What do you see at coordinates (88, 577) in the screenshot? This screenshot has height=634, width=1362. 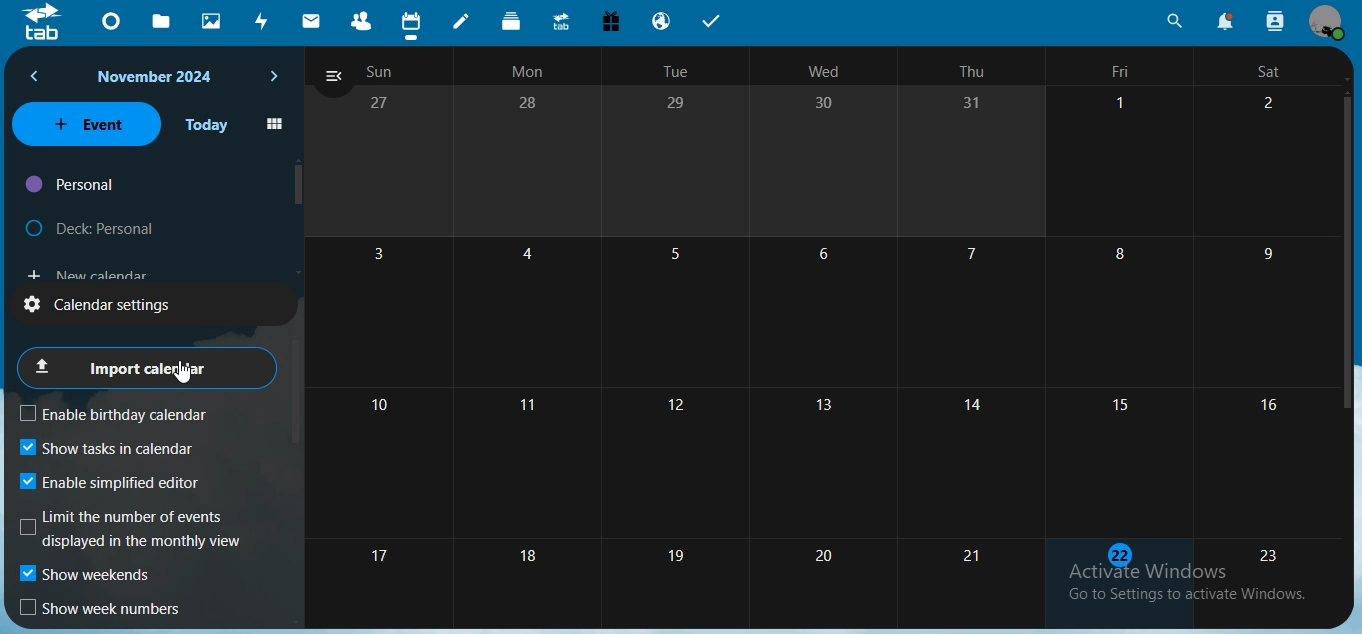 I see `show weekends` at bounding box center [88, 577].